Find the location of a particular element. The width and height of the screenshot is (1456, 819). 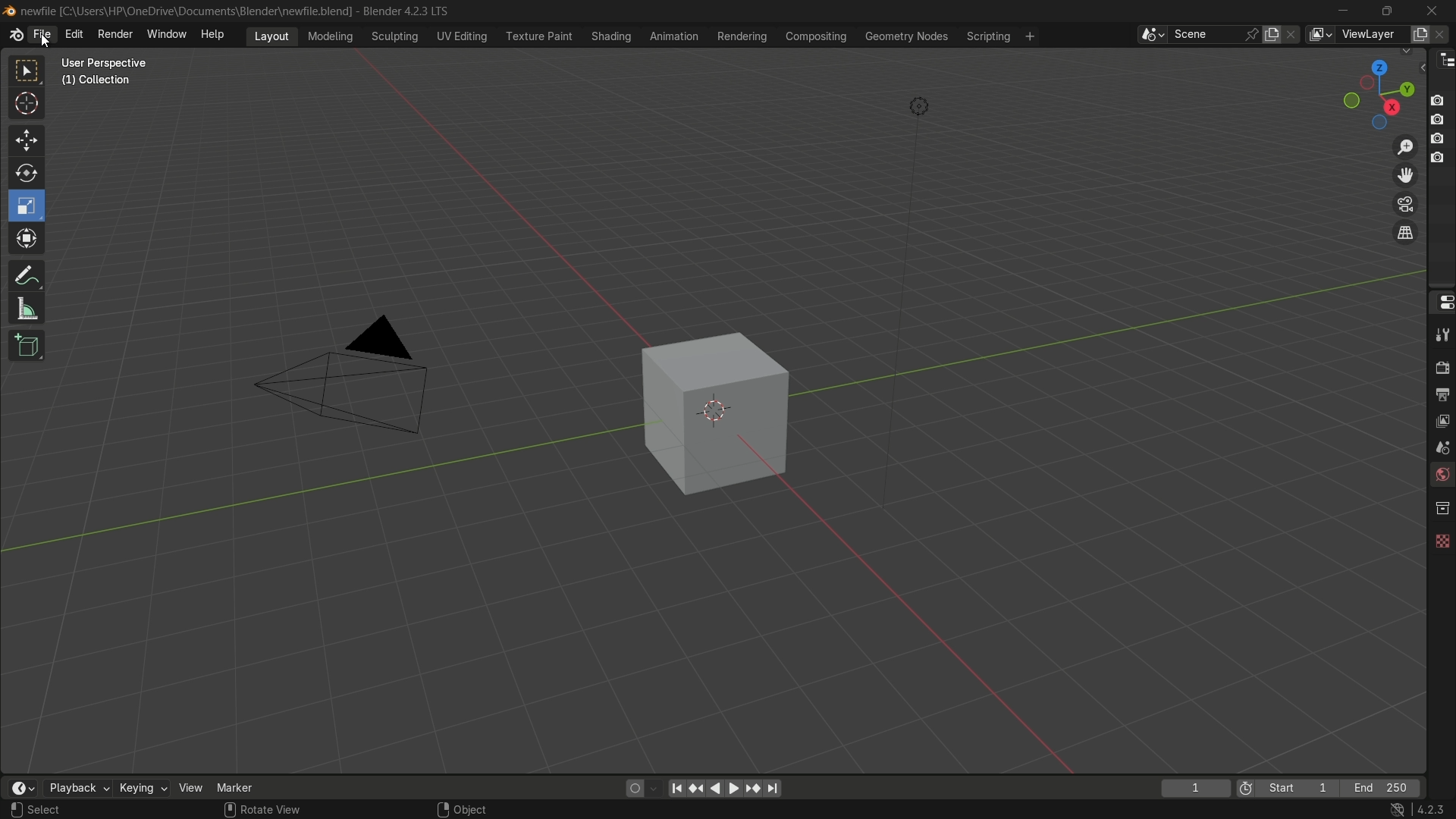

zoom in/out is located at coordinates (1406, 145).